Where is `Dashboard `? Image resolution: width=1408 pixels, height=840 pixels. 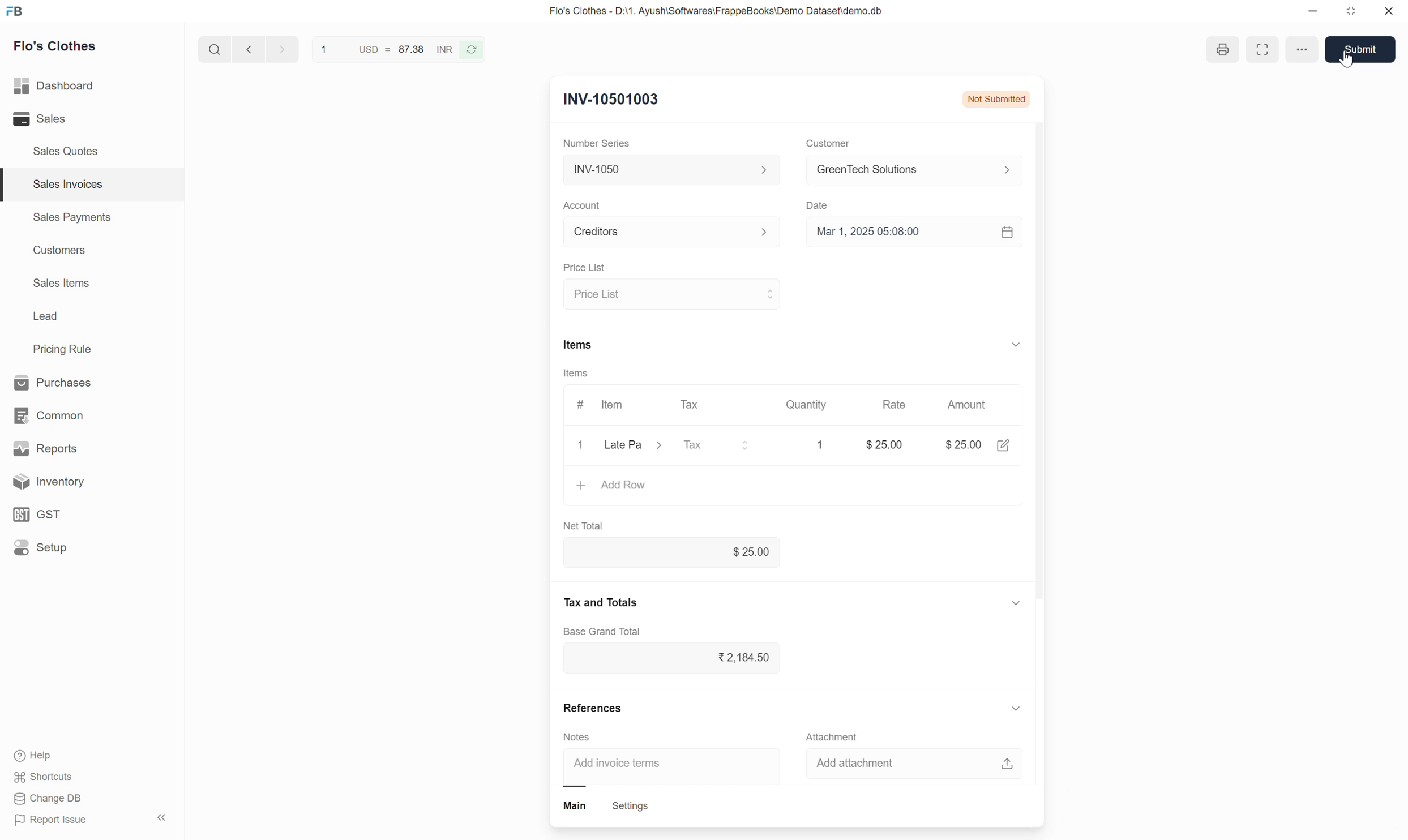
Dashboard  is located at coordinates (74, 86).